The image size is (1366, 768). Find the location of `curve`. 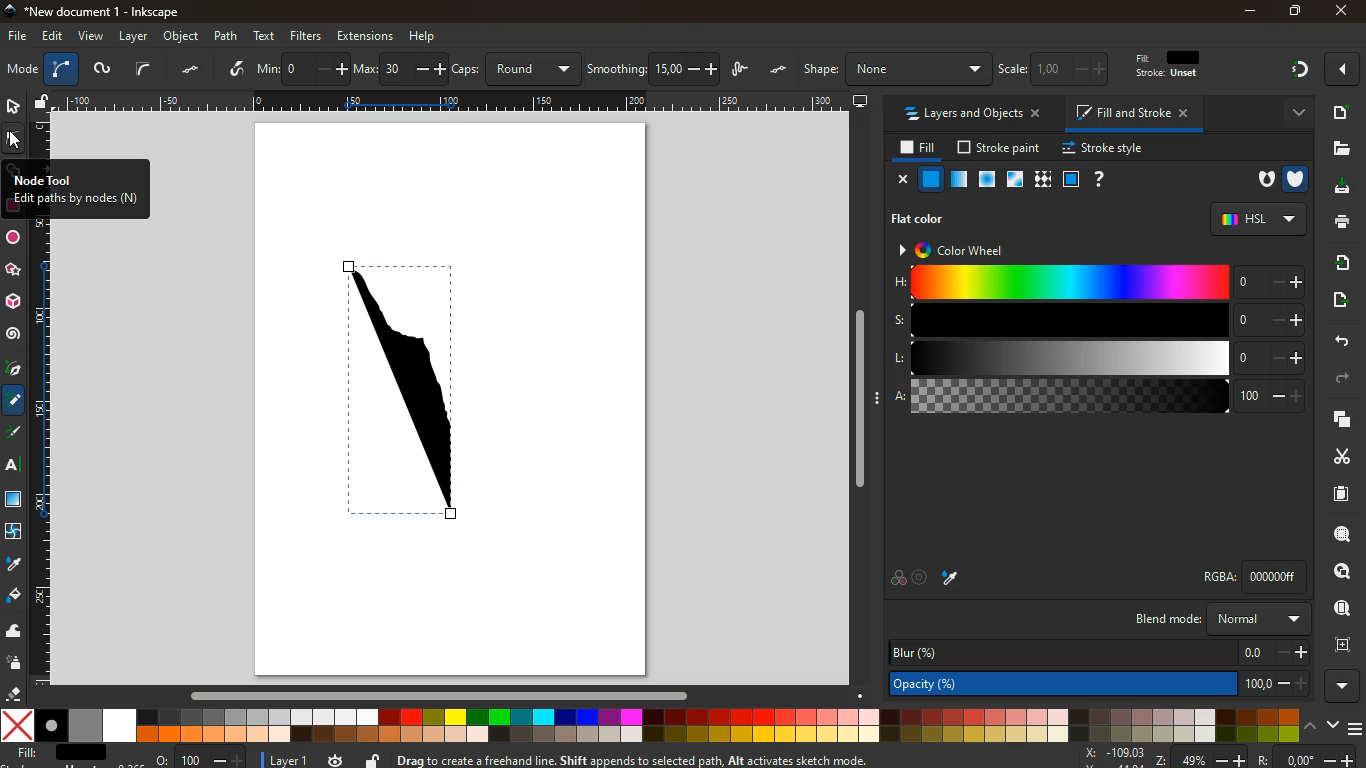

curve is located at coordinates (143, 70).